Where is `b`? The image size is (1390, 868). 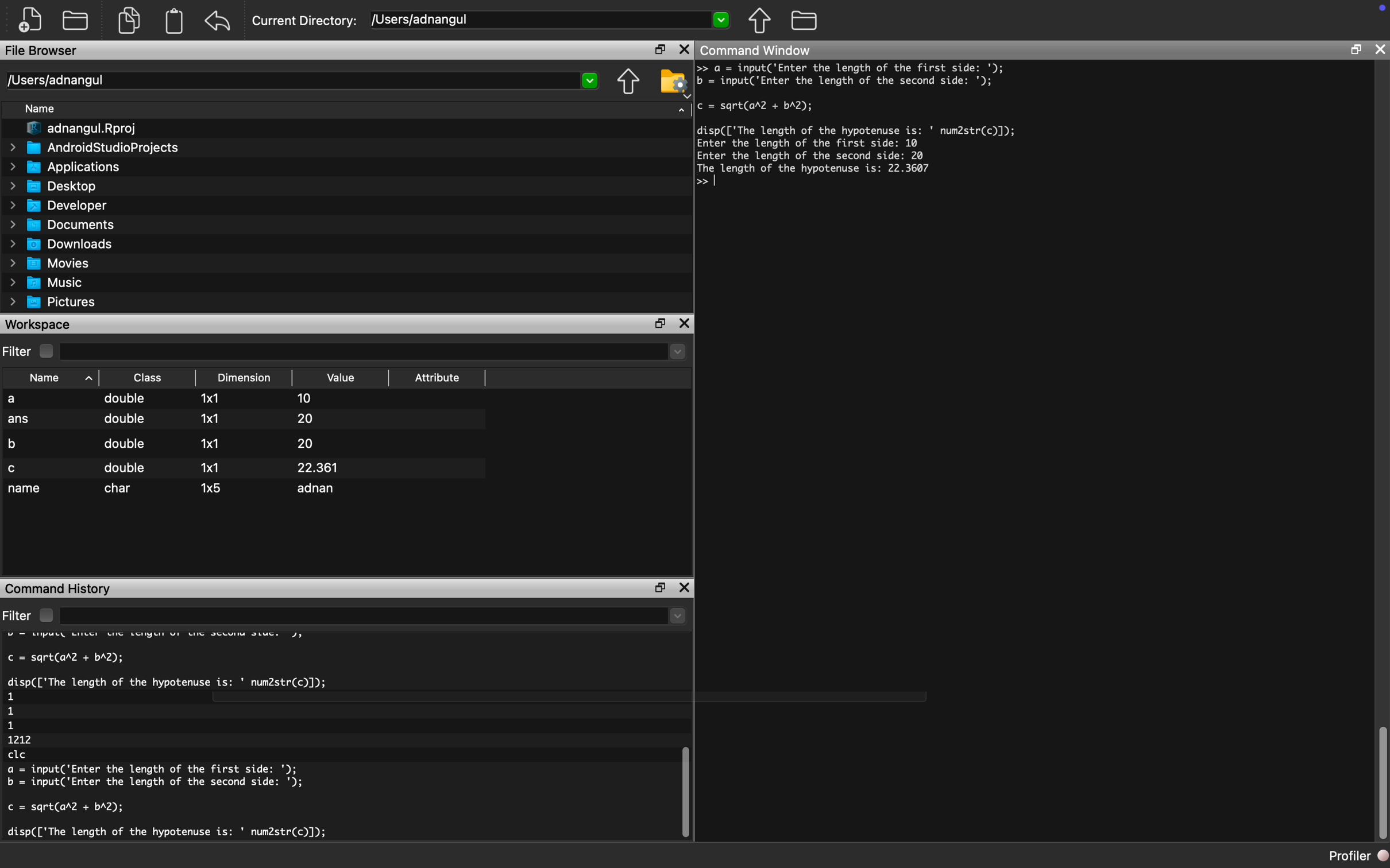
b is located at coordinates (17, 442).